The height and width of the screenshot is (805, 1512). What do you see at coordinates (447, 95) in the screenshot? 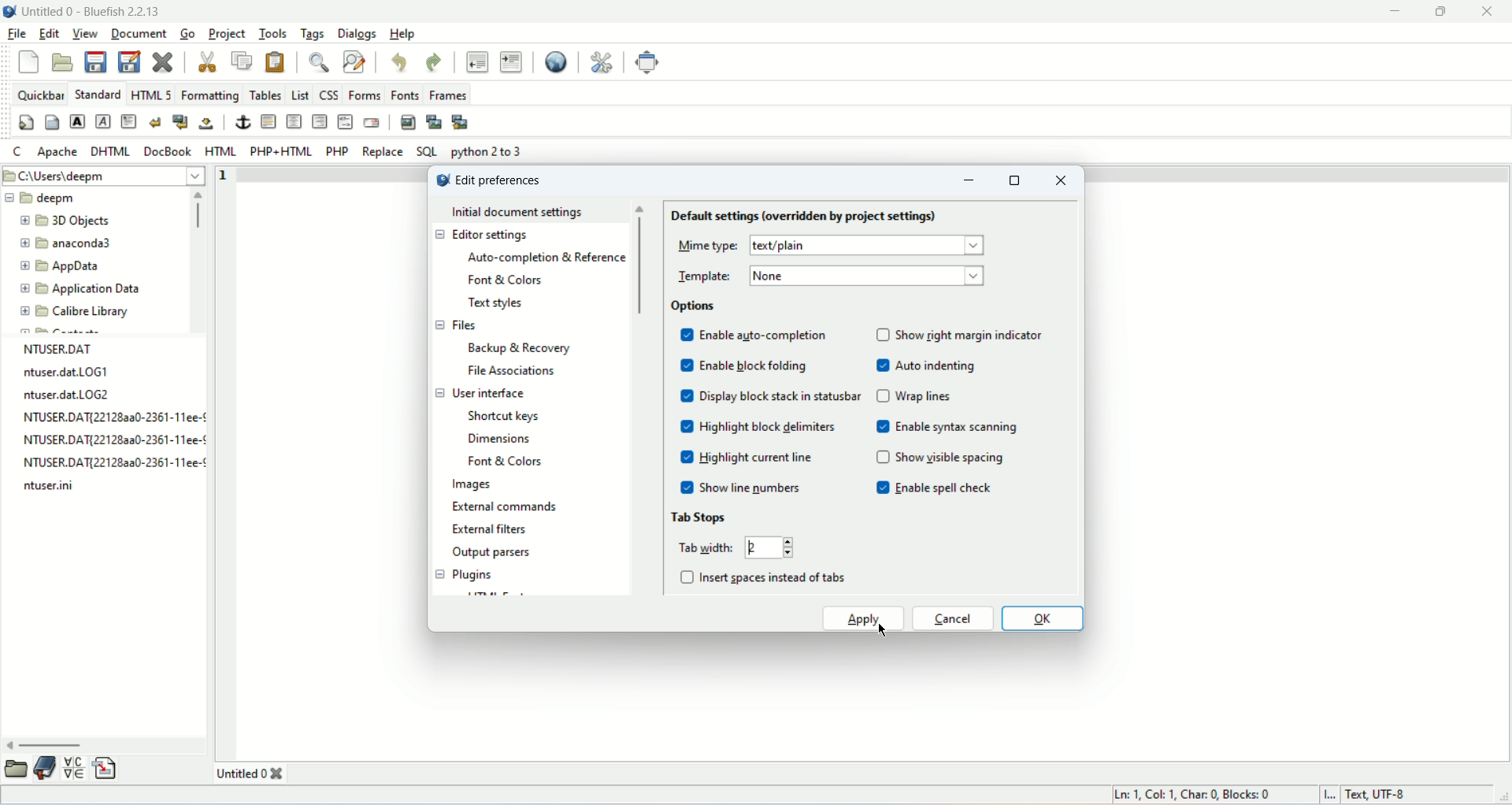
I see `frames` at bounding box center [447, 95].